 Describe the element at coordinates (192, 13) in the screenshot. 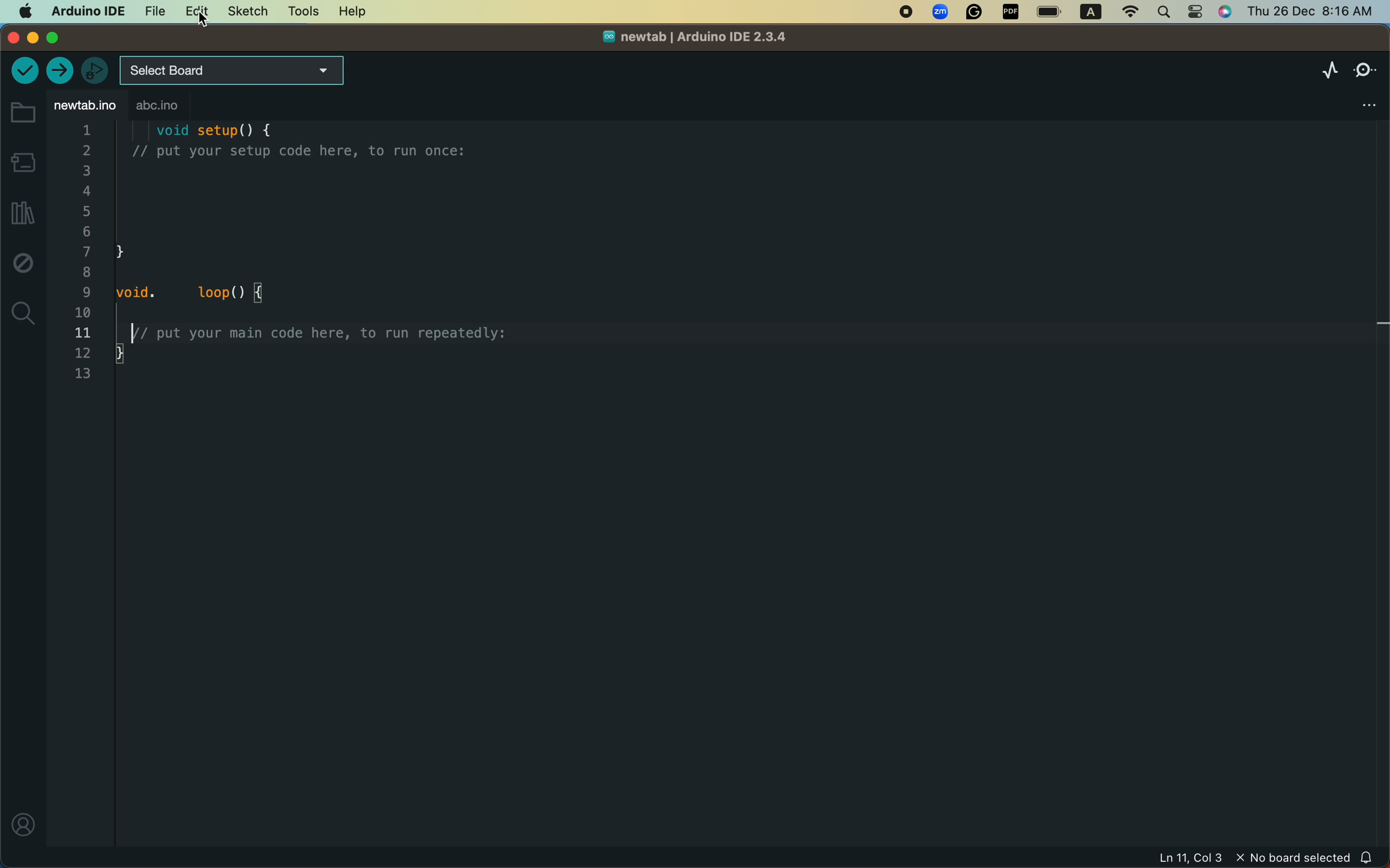

I see `edit` at that location.